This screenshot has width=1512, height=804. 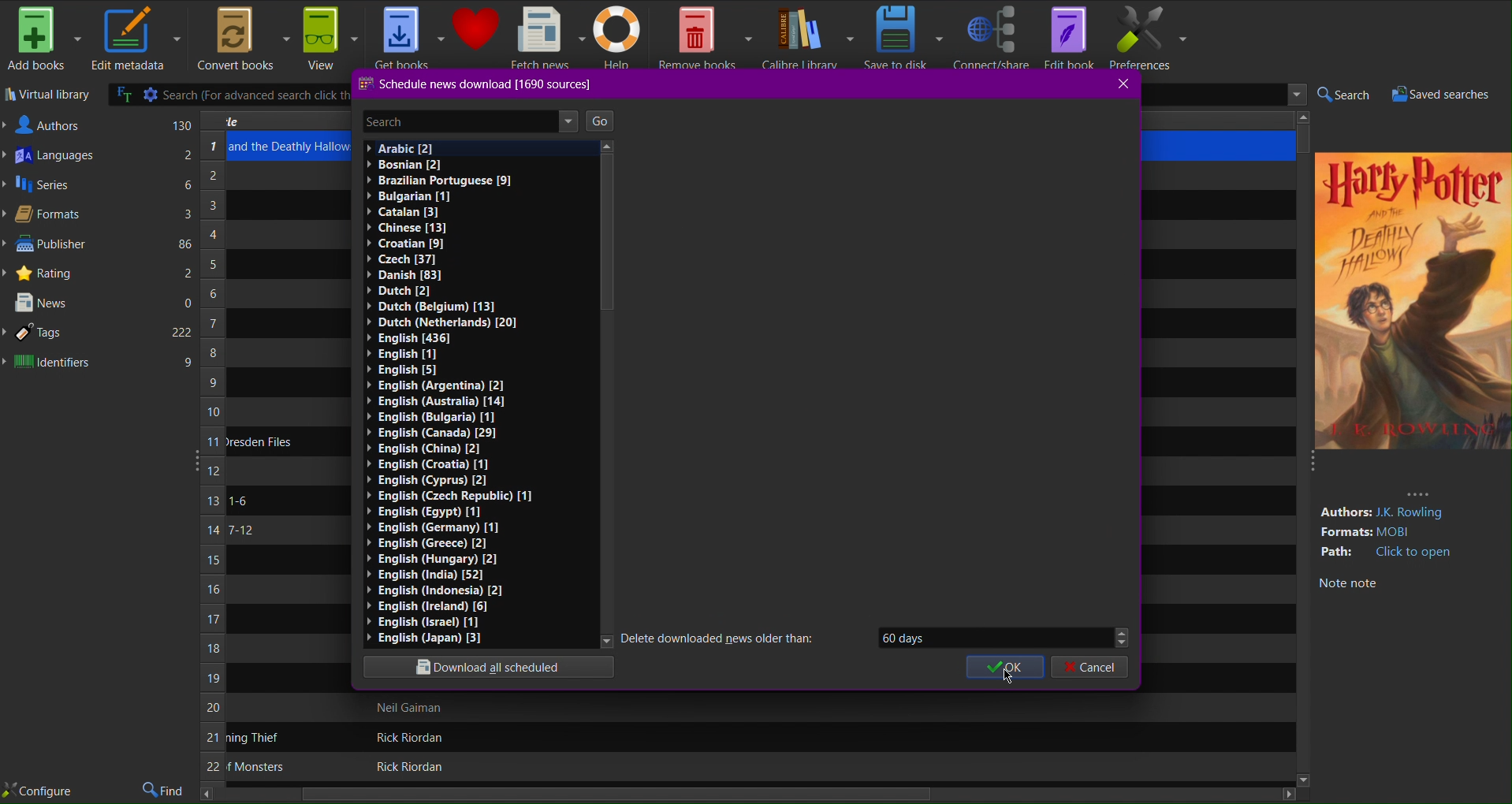 I want to click on Remove books, so click(x=706, y=37).